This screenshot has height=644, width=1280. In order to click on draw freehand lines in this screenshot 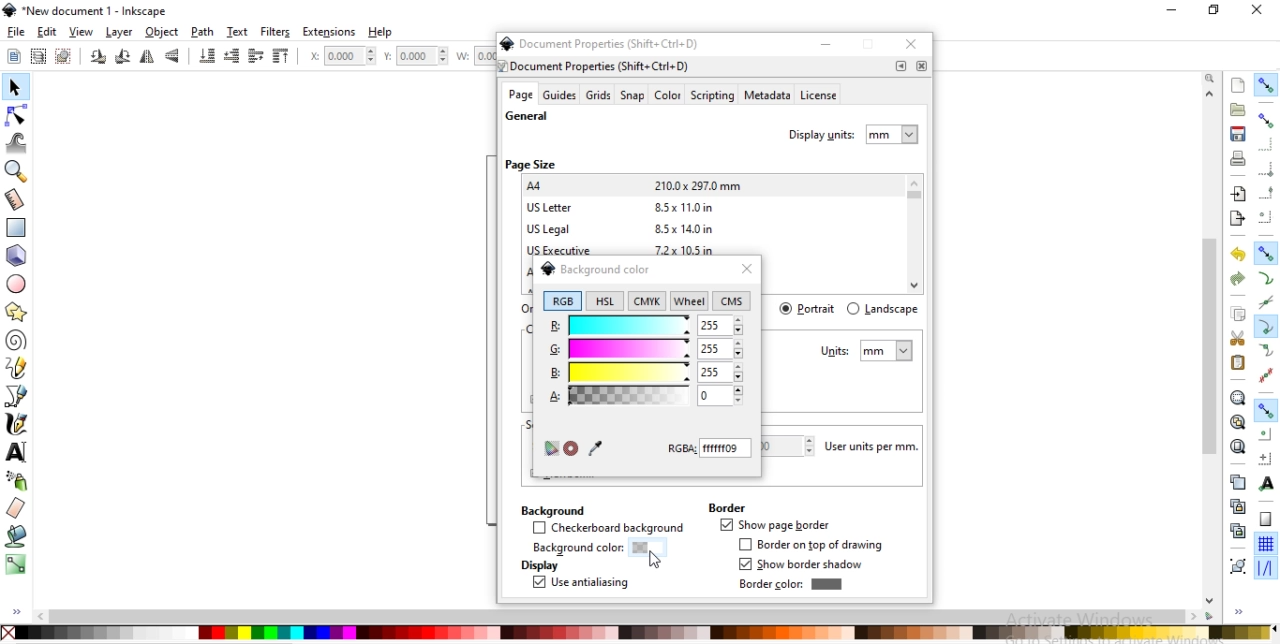, I will do `click(16, 368)`.